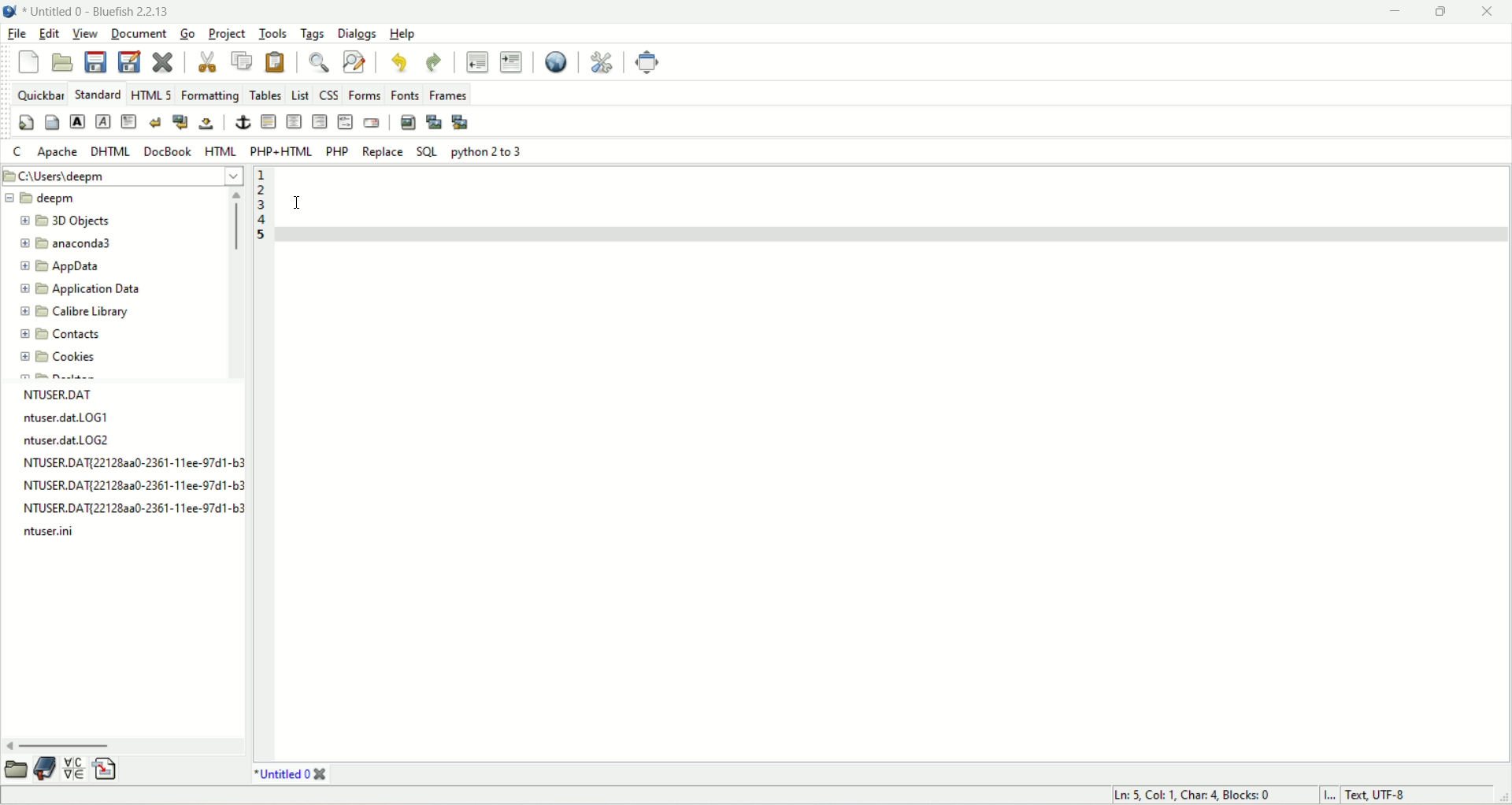  I want to click on redo, so click(431, 60).